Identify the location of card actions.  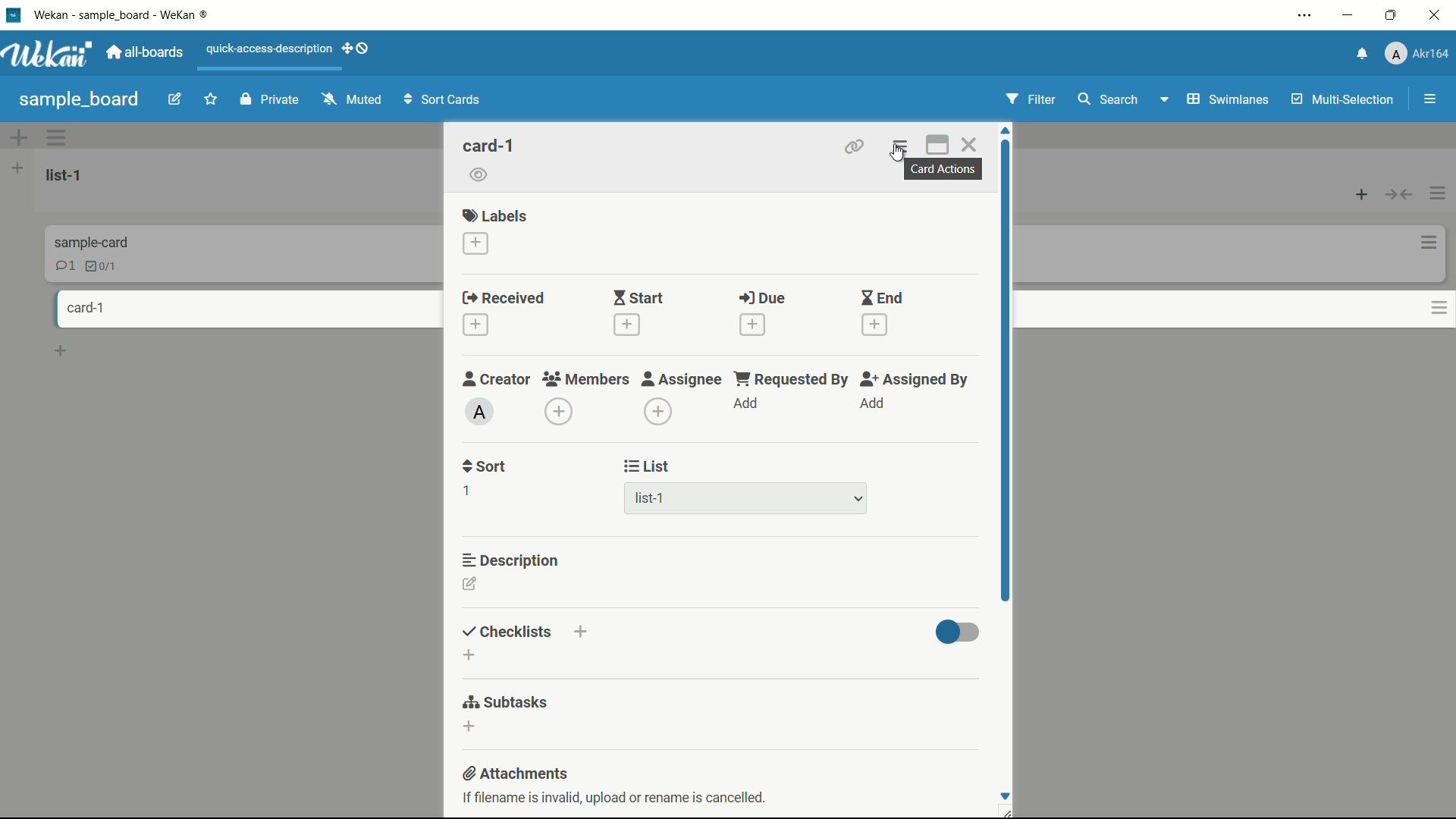
(1423, 240).